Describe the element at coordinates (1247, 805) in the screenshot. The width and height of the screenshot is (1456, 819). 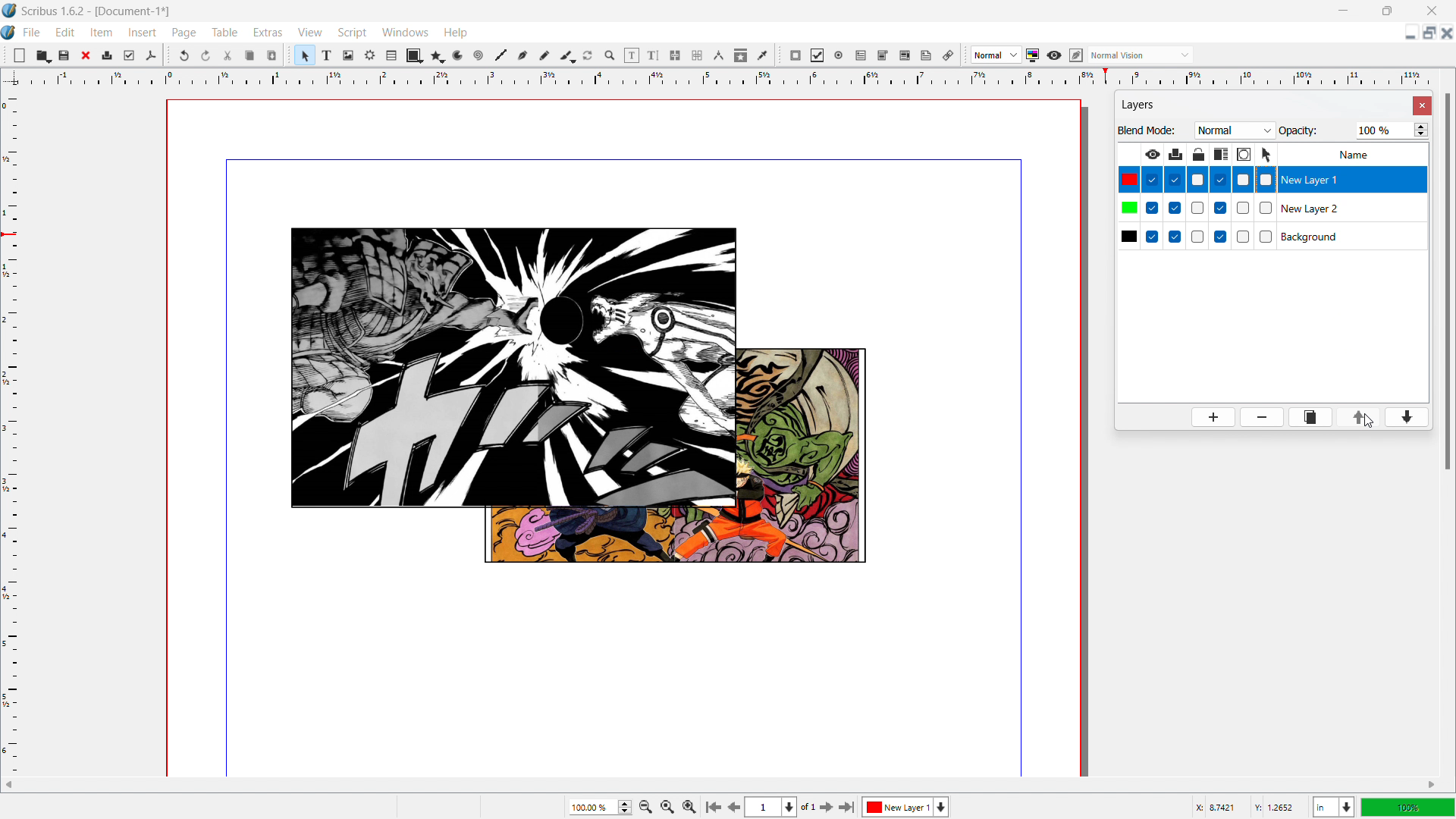
I see `cursor coordinates` at that location.